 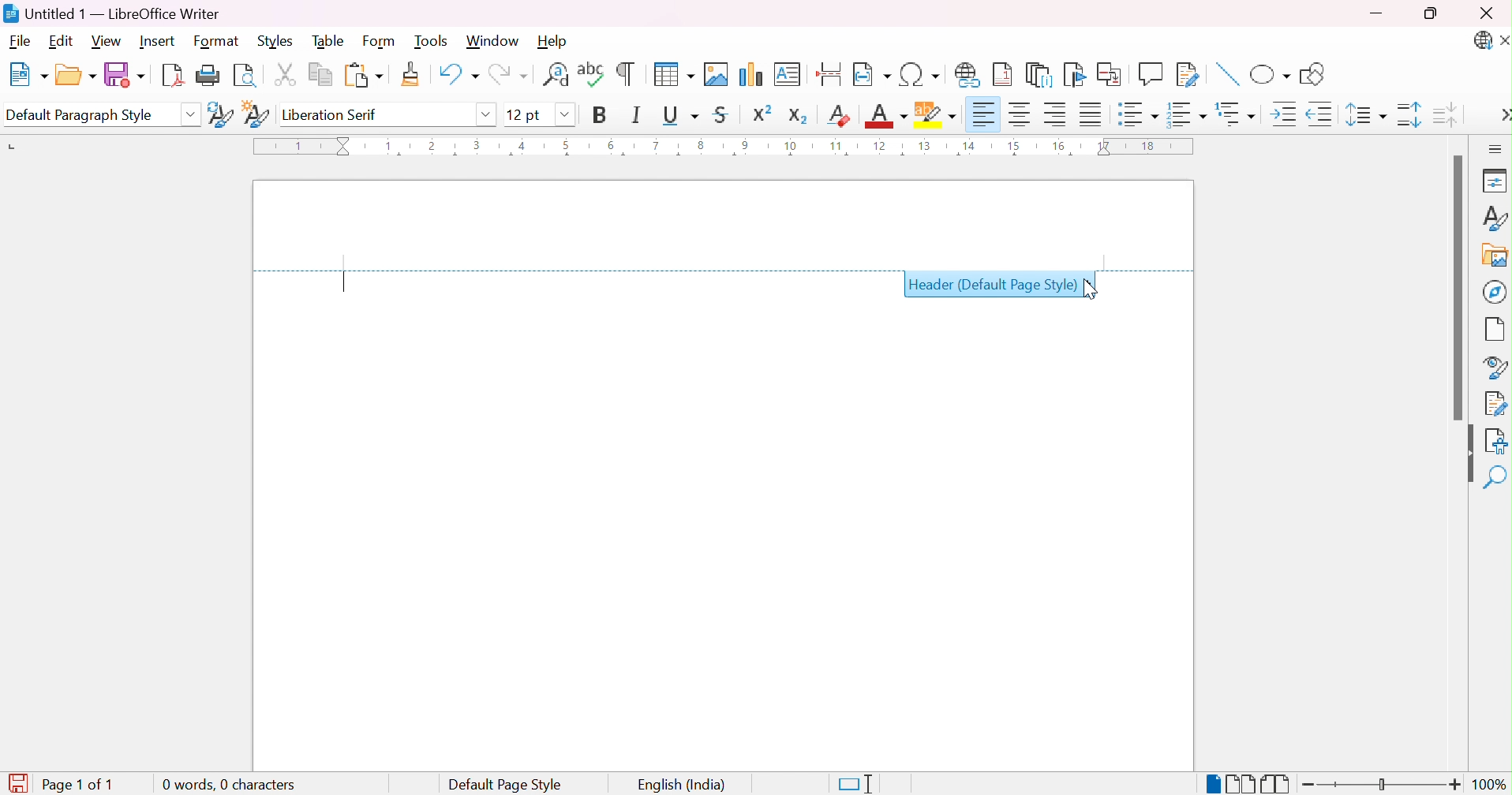 I want to click on Untitled 1 - LibreOffice Writer, so click(x=111, y=13).